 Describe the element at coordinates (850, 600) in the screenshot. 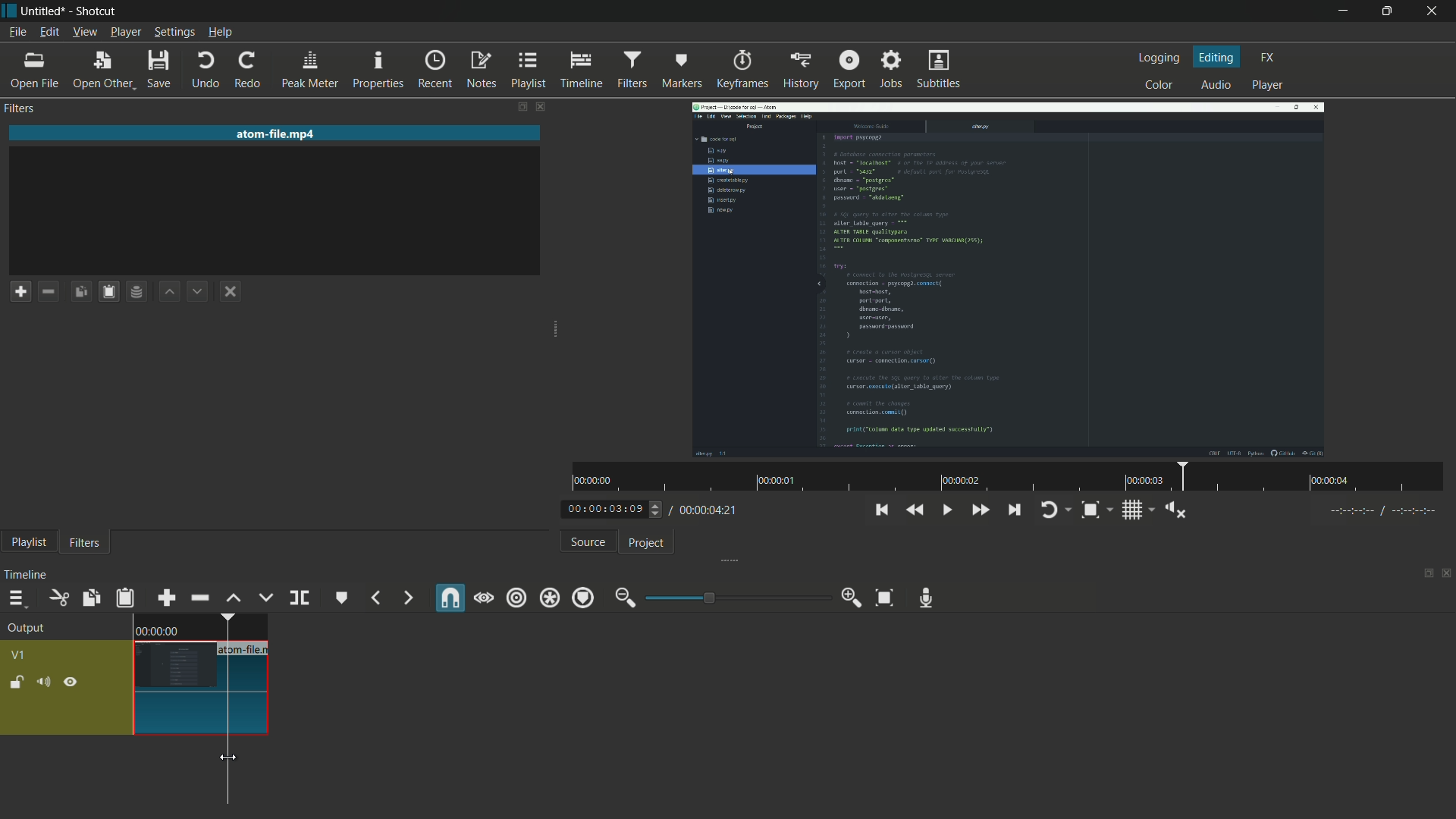

I see `zoom in` at that location.